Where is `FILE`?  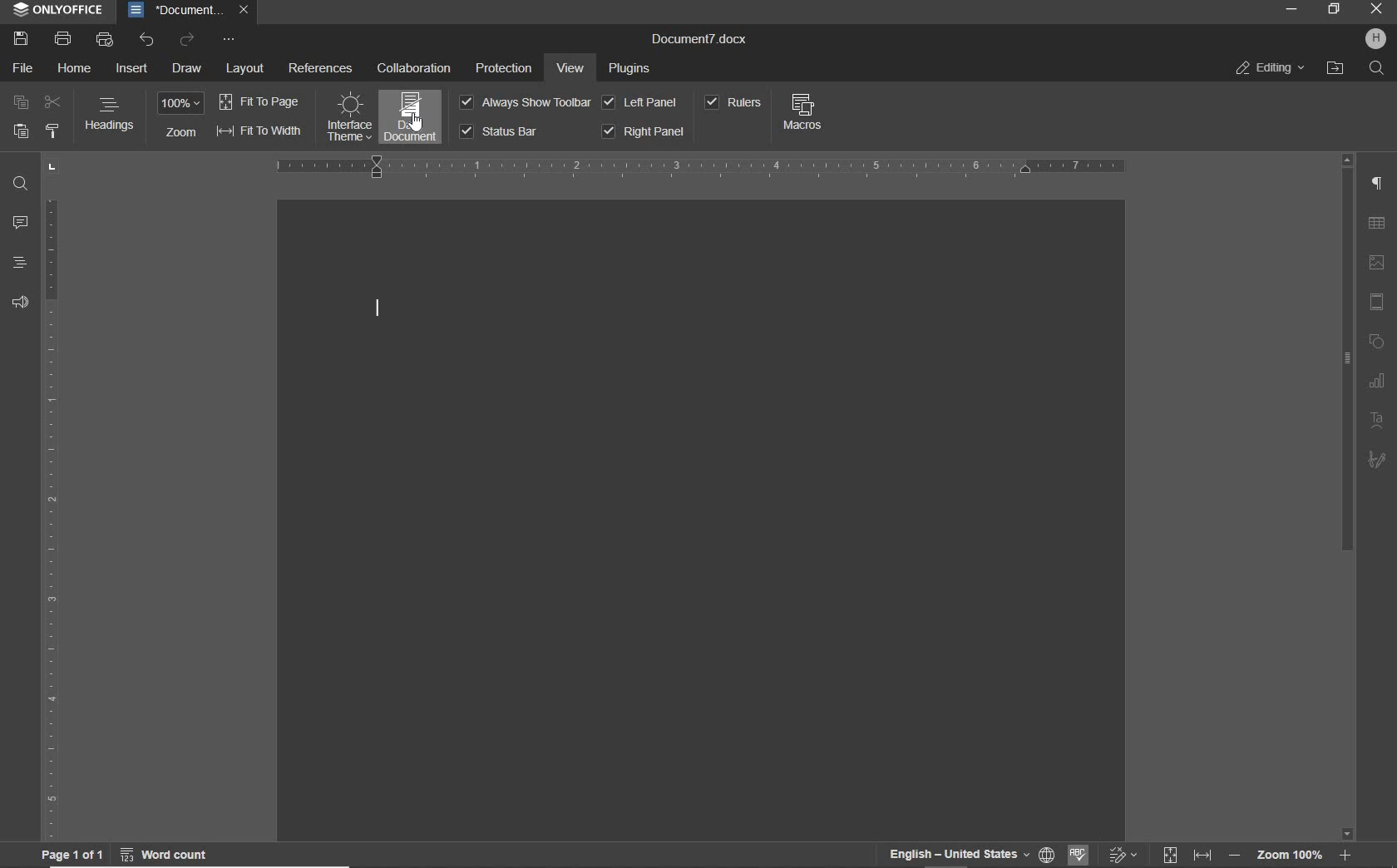
FILE is located at coordinates (22, 71).